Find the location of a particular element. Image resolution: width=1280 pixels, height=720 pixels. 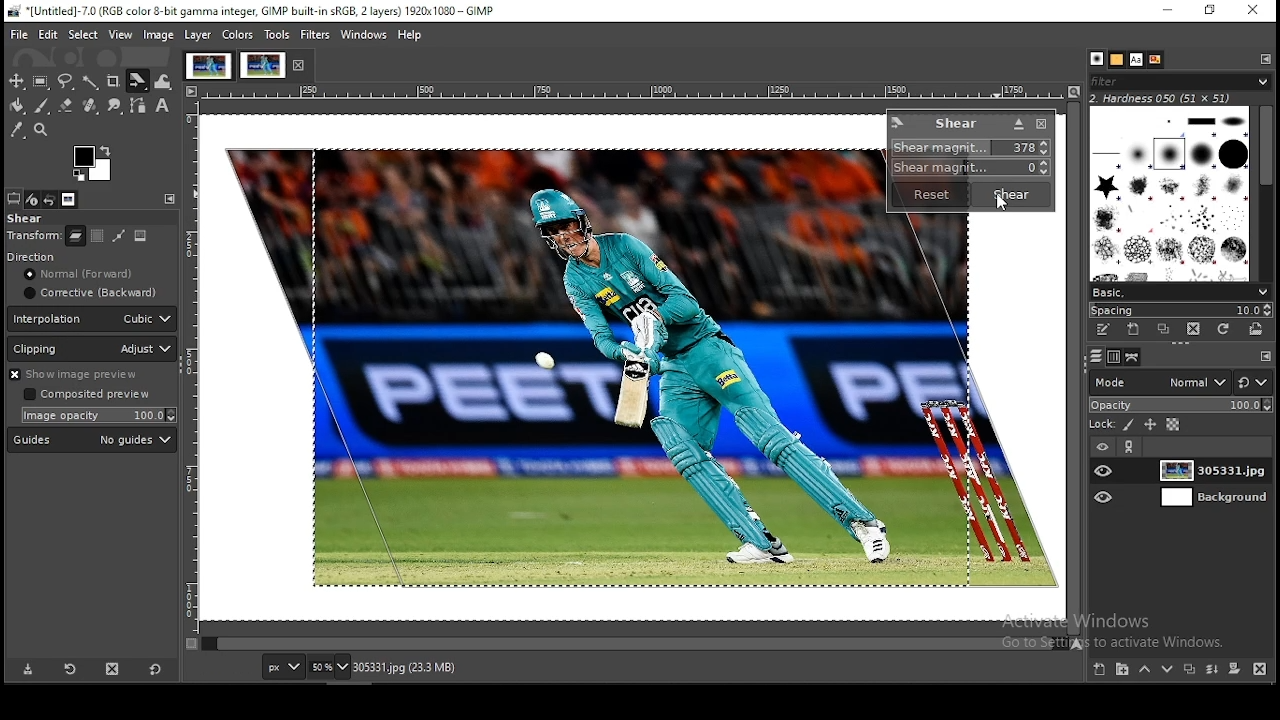

colors is located at coordinates (238, 35).